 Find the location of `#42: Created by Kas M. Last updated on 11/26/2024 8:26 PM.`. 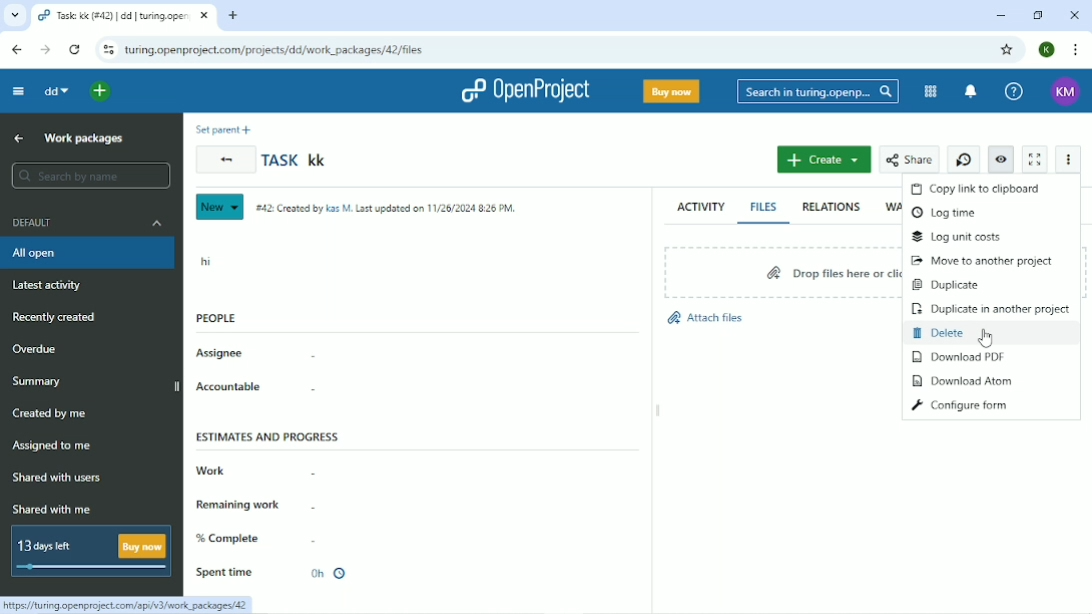

#42: Created by Kas M. Last updated on 11/26/2024 8:26 PM. is located at coordinates (386, 208).